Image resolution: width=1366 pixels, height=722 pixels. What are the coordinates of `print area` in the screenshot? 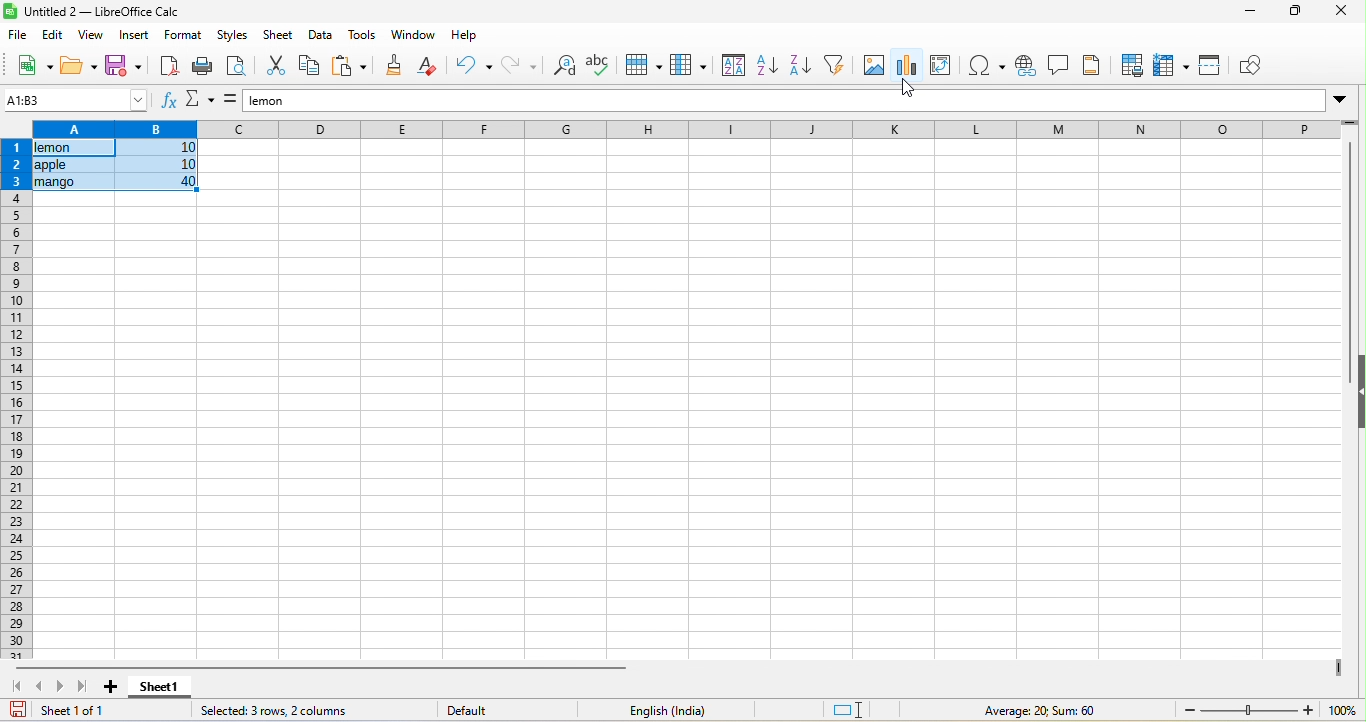 It's located at (1132, 66).